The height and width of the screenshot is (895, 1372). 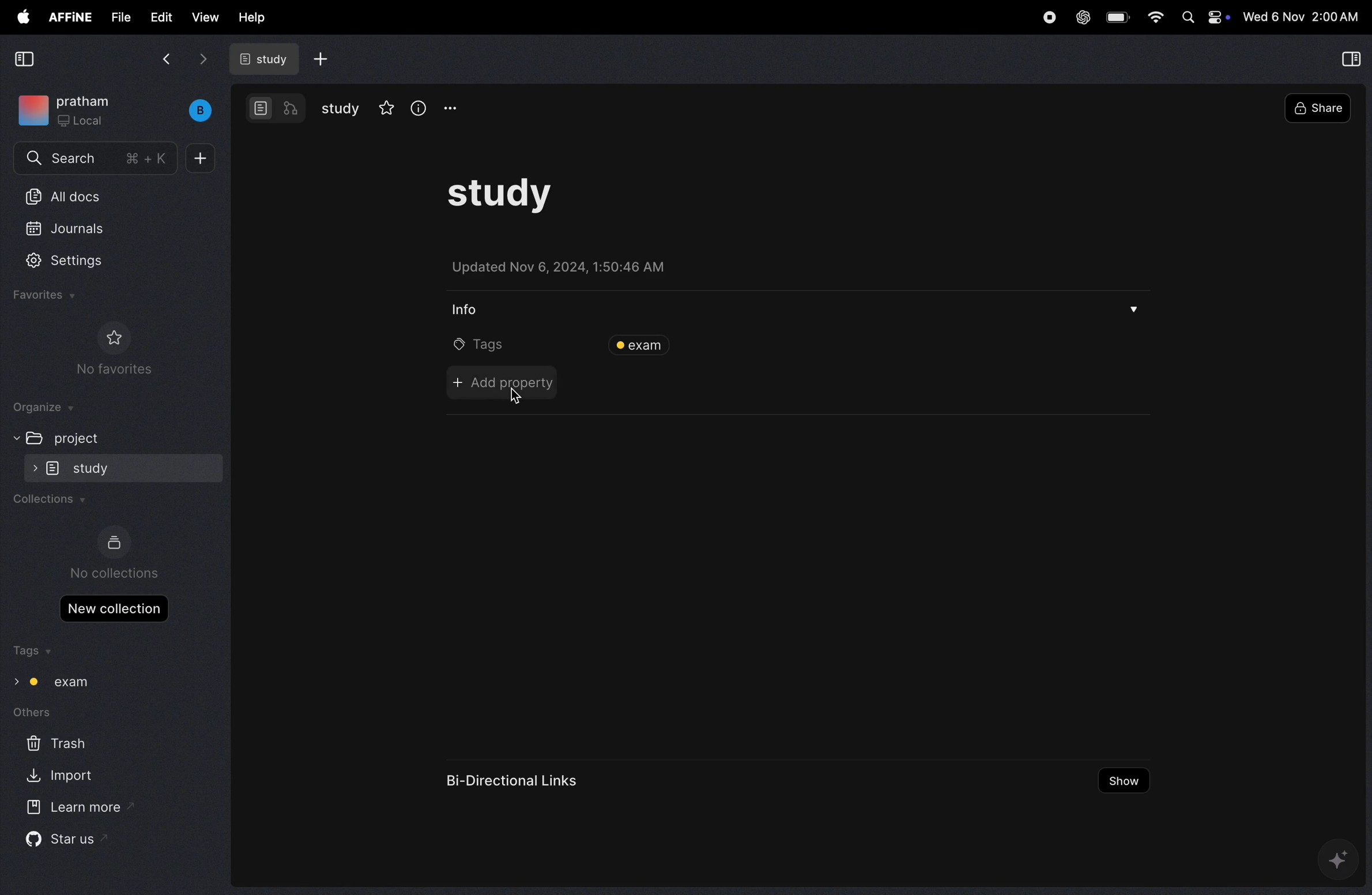 I want to click on collections, so click(x=52, y=501).